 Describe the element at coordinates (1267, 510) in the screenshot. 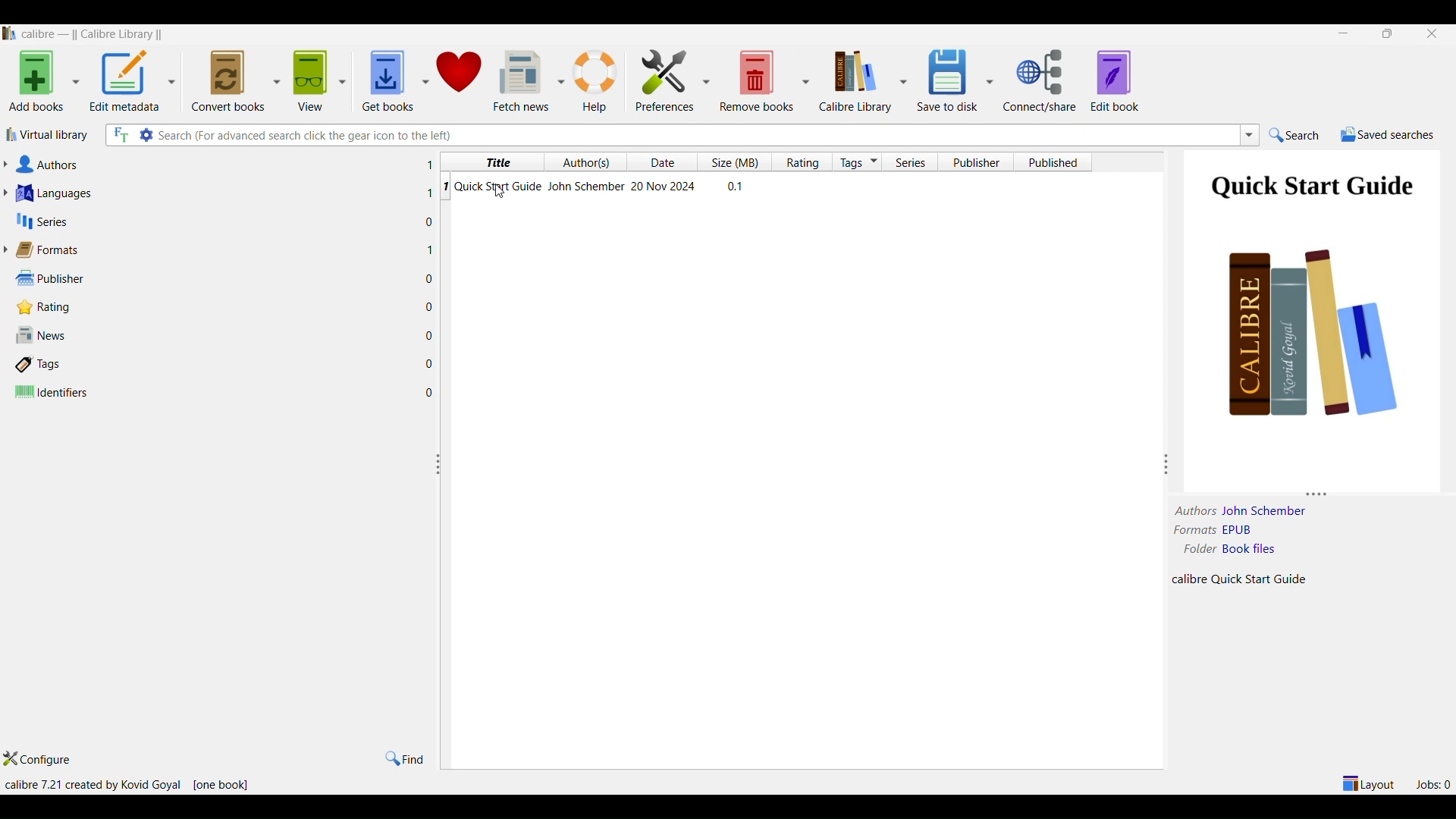

I see `John Schember` at that location.